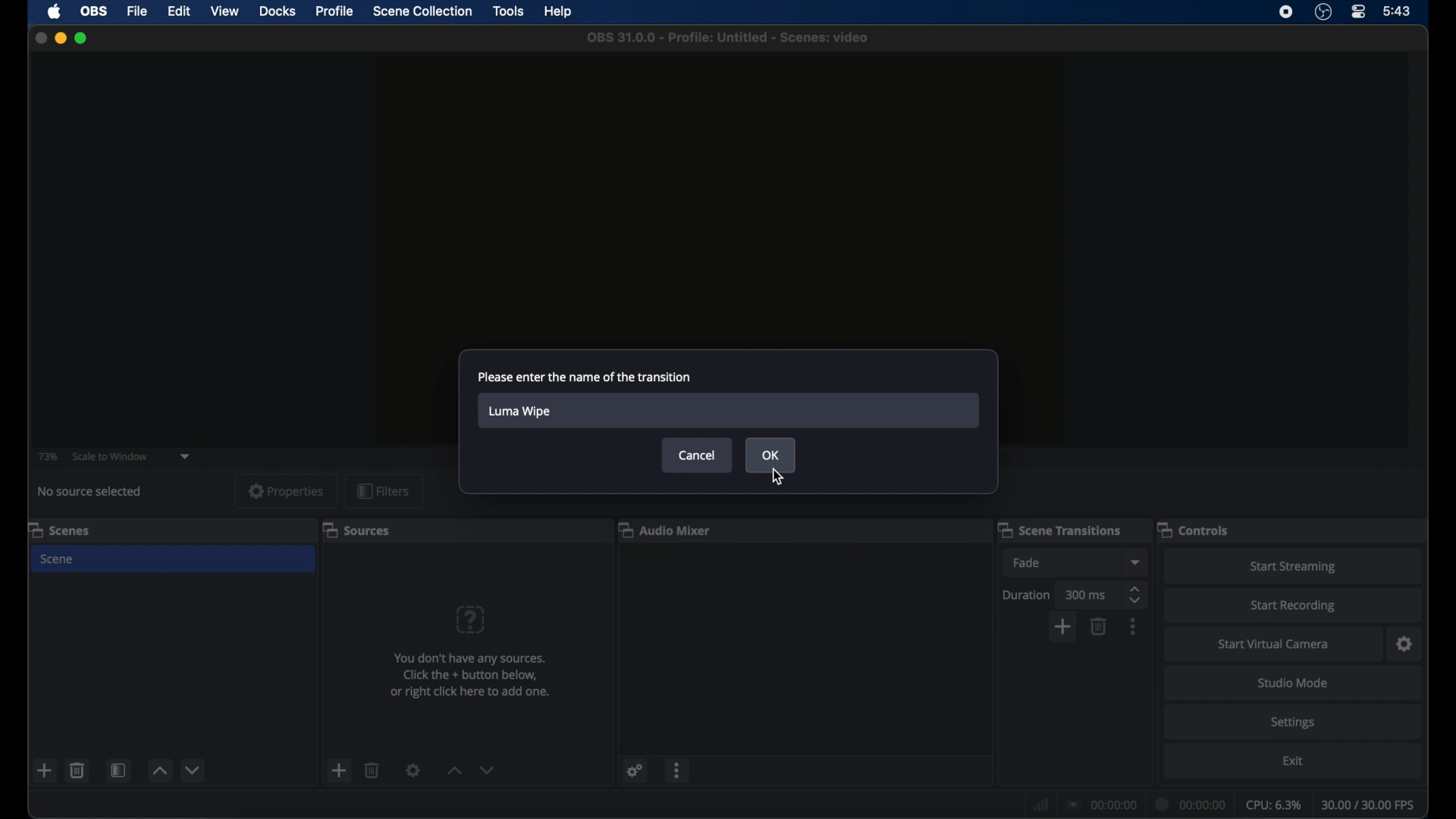 This screenshot has height=819, width=1456. I want to click on tools, so click(508, 11).